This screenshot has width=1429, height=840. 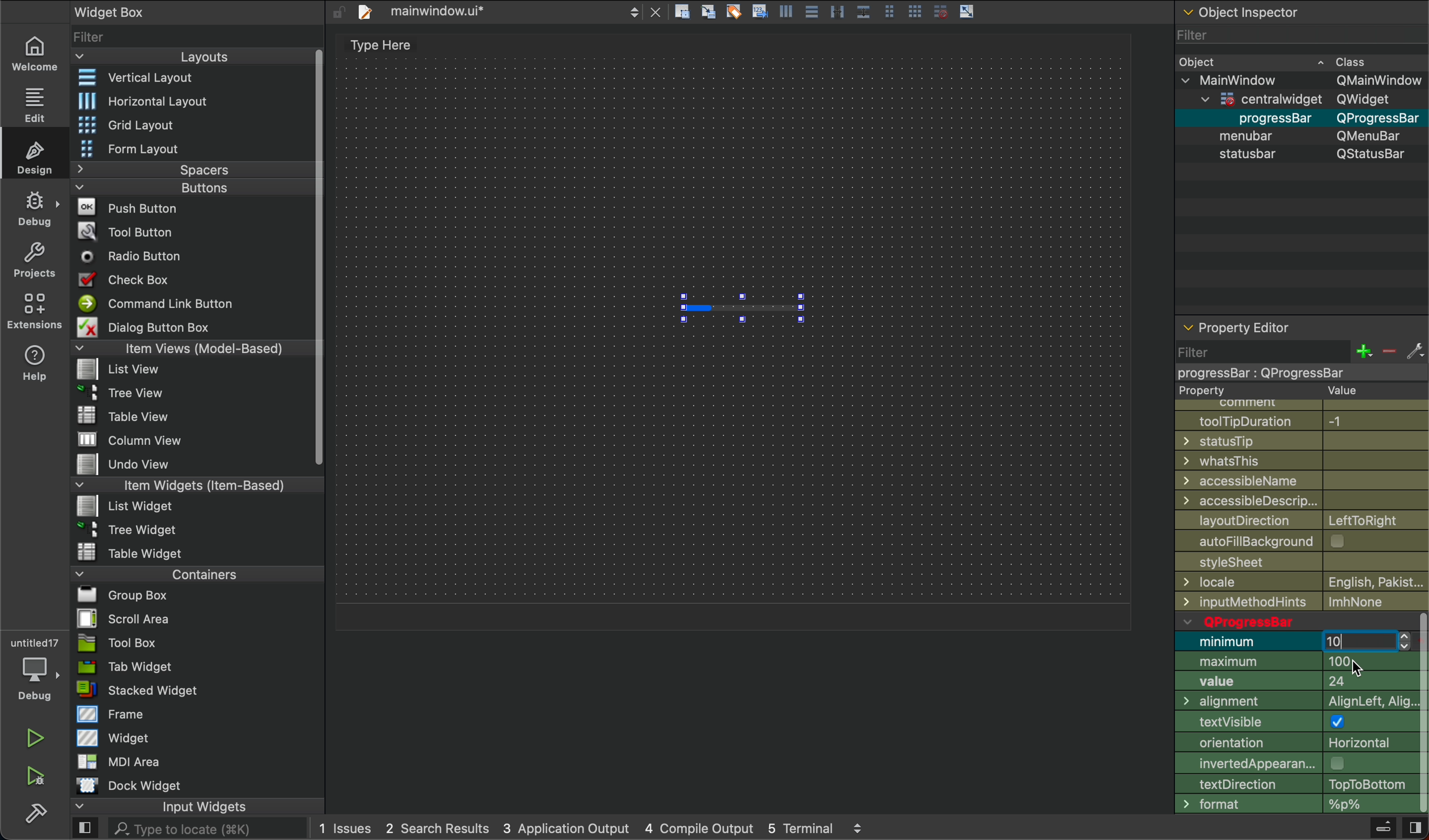 I want to click on Filter, so click(x=1299, y=34).